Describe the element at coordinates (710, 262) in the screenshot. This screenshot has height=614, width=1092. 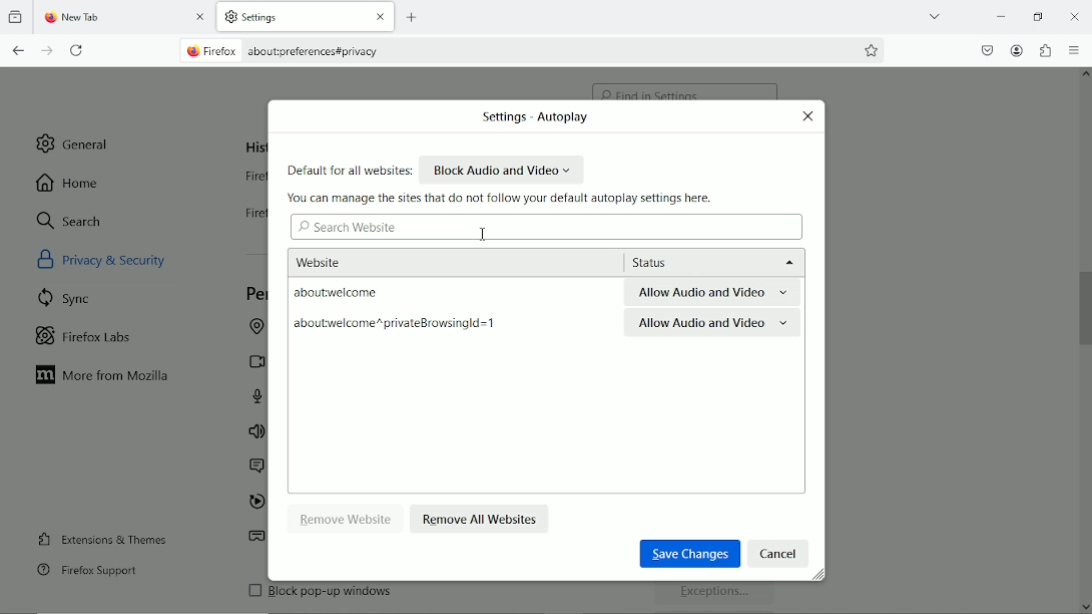
I see `status` at that location.